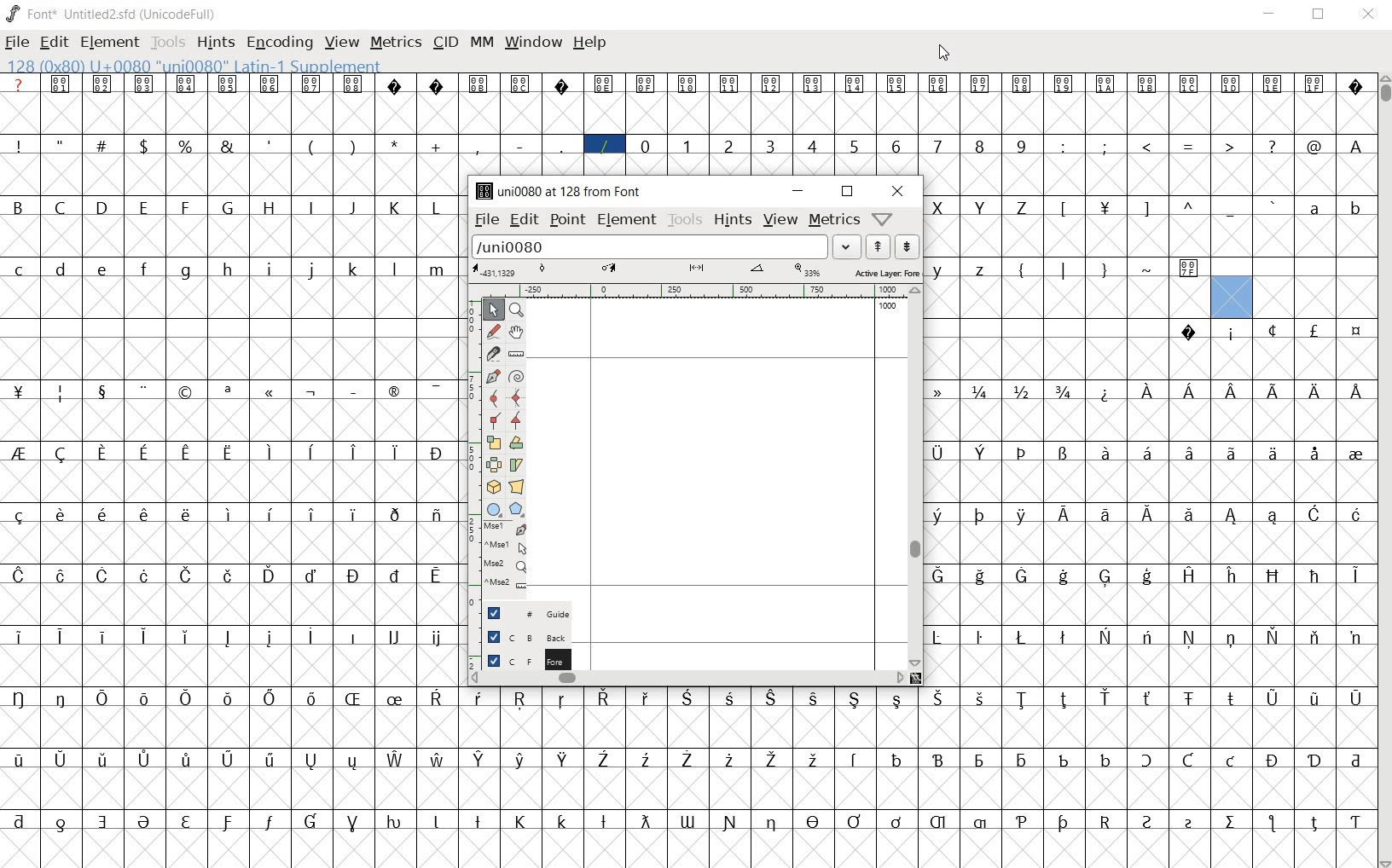 Image resolution: width=1392 pixels, height=868 pixels. I want to click on glyph, so click(144, 84).